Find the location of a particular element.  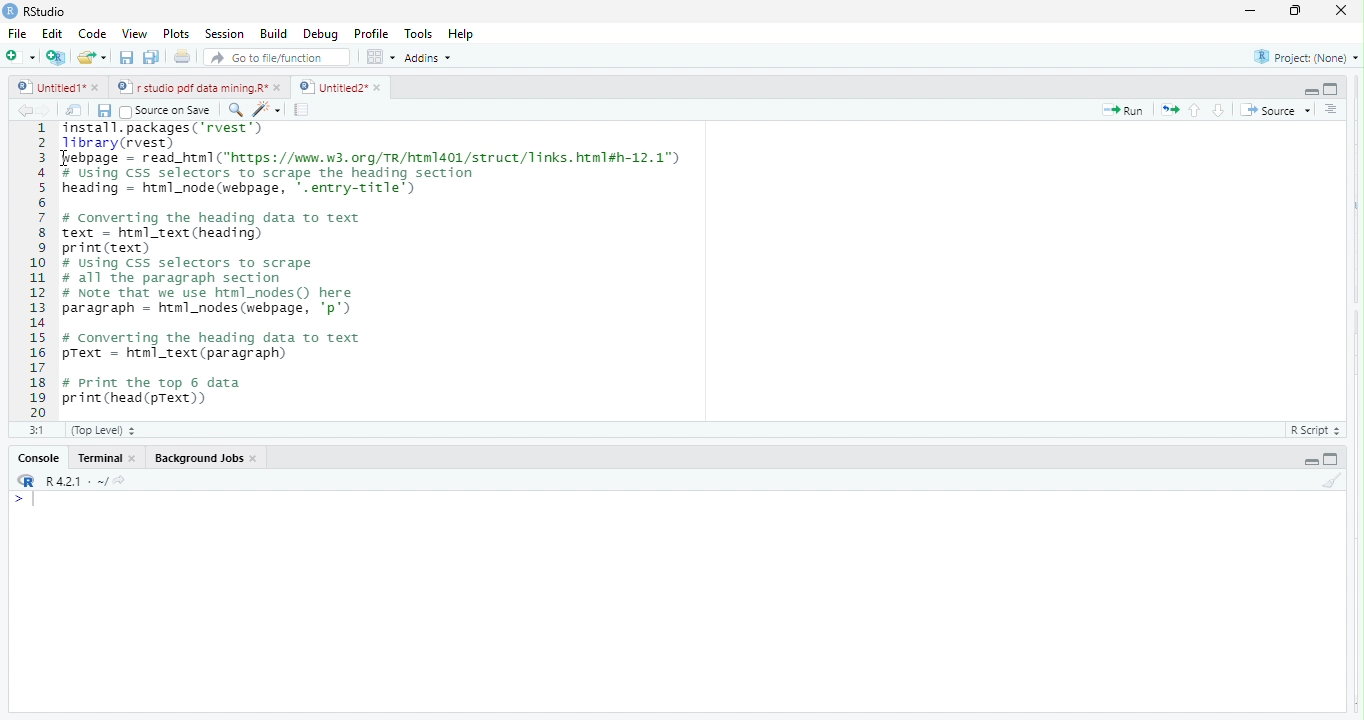

save current document is located at coordinates (104, 112).